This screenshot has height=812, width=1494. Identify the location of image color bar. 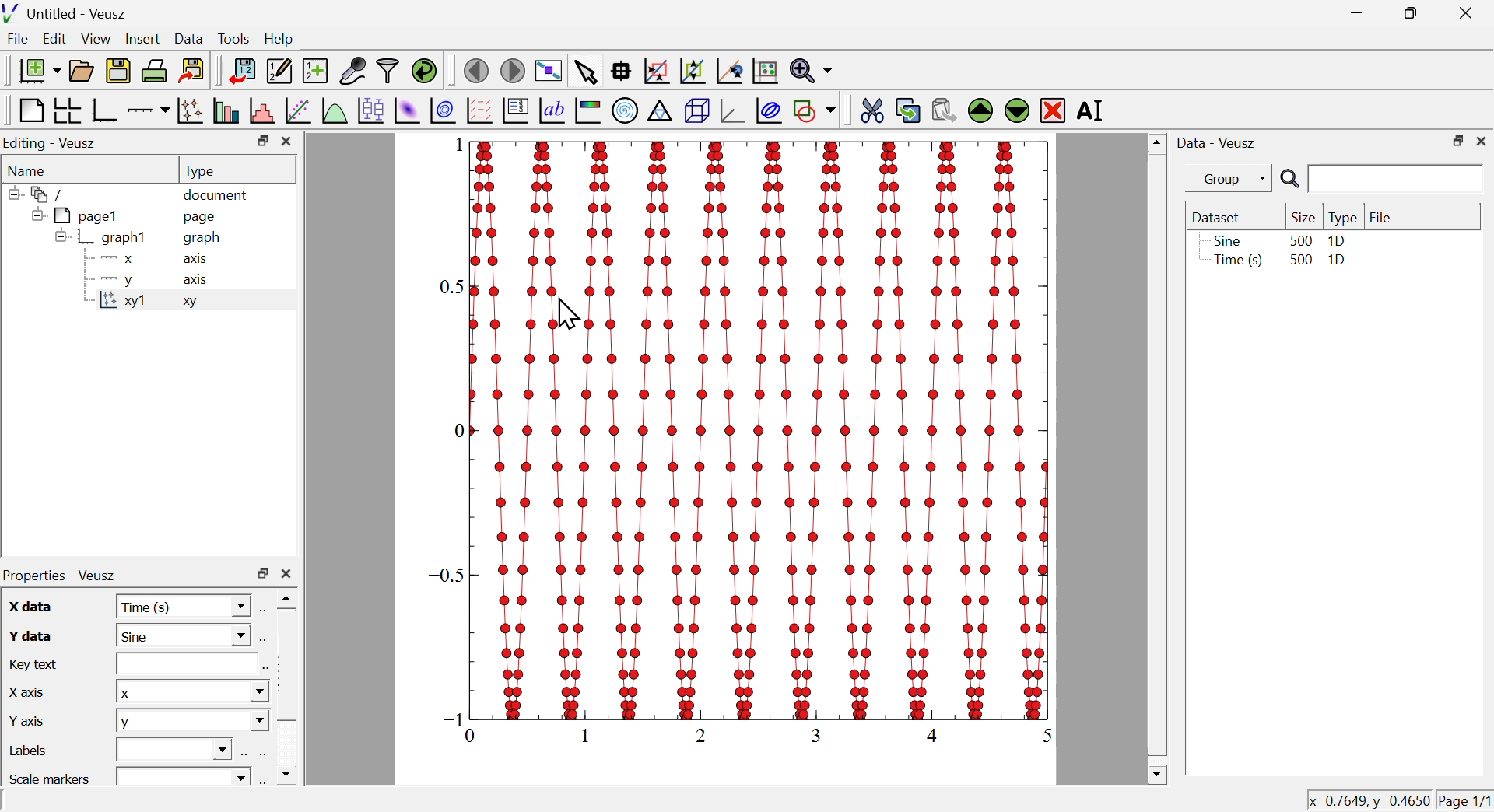
(589, 112).